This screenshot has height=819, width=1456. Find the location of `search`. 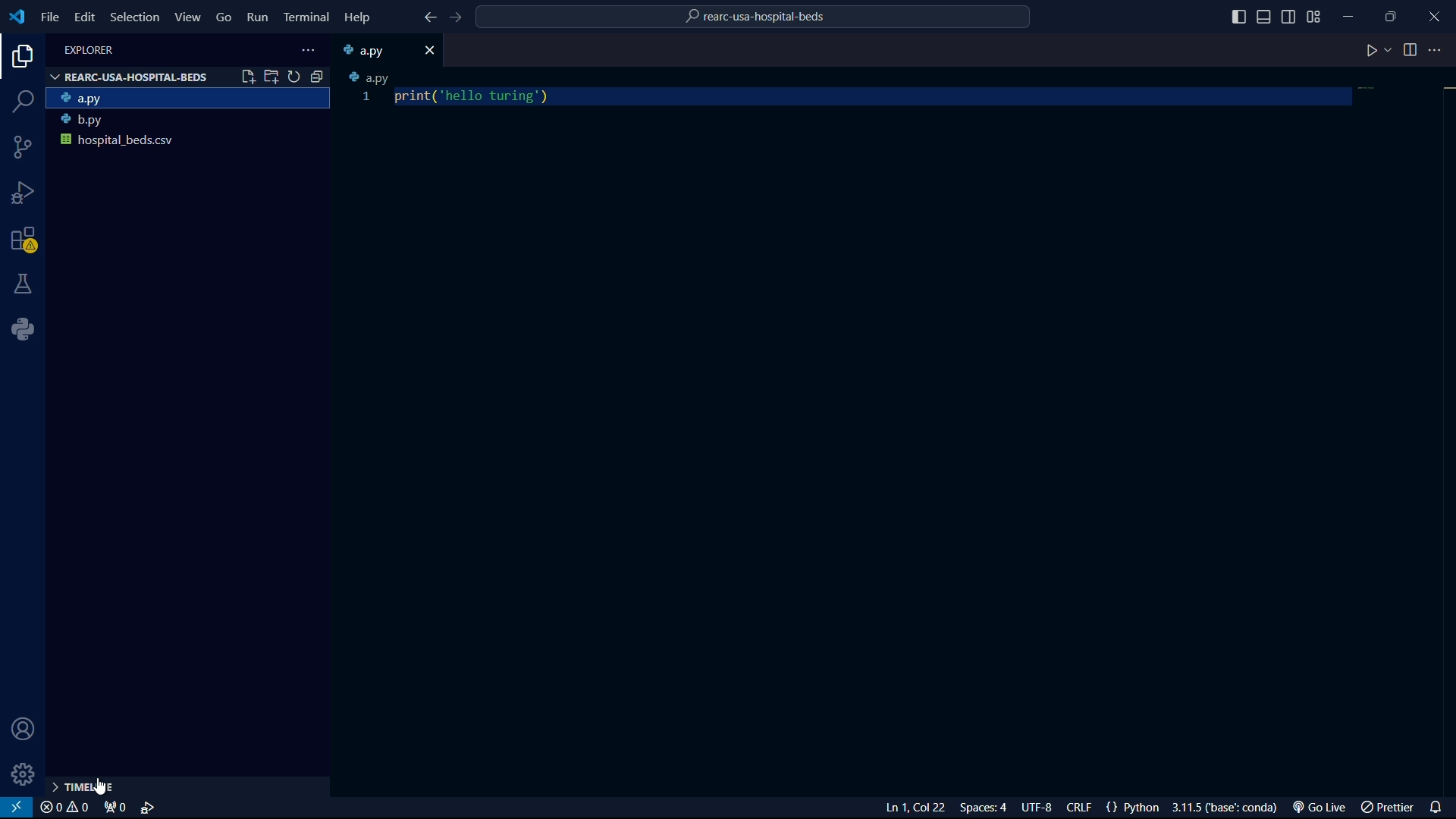

search is located at coordinates (21, 100).